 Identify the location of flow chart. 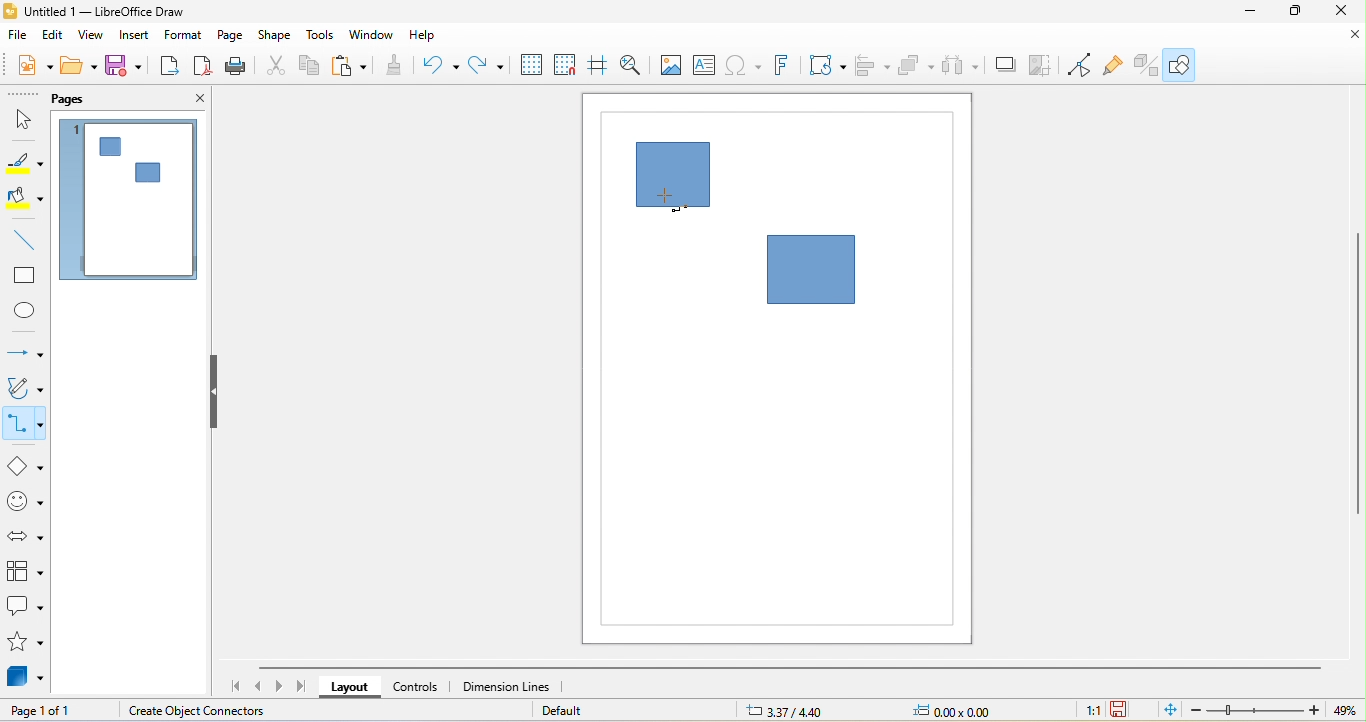
(27, 572).